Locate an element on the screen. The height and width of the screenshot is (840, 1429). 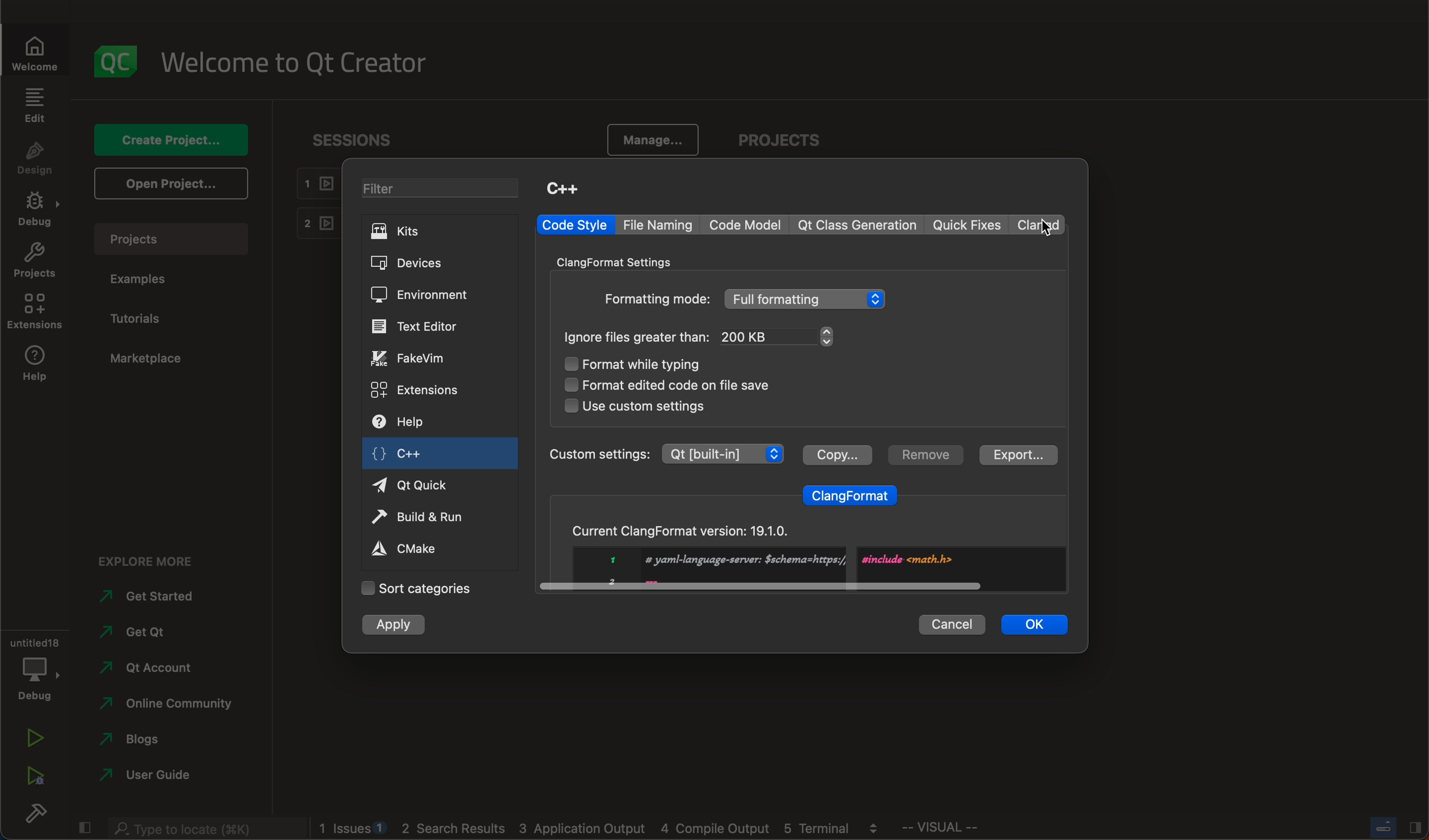
logo is located at coordinates (113, 58).